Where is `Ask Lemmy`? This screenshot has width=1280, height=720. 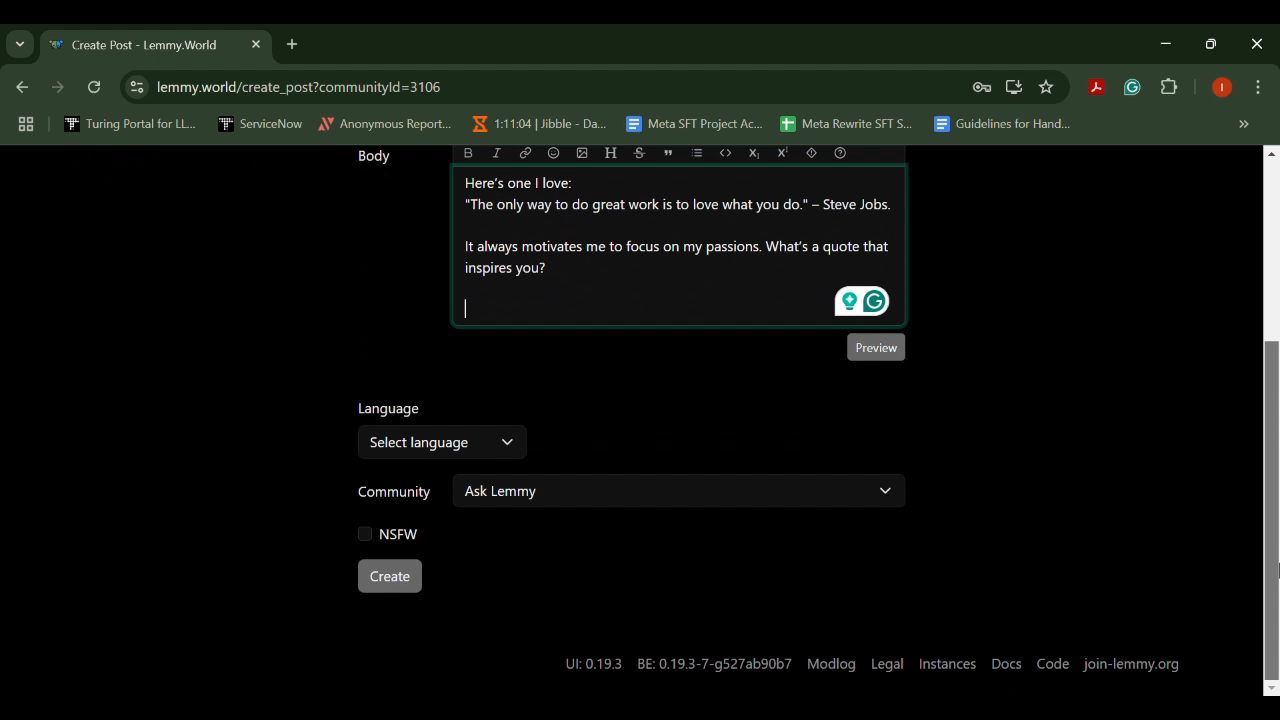
Ask Lemmy is located at coordinates (680, 490).